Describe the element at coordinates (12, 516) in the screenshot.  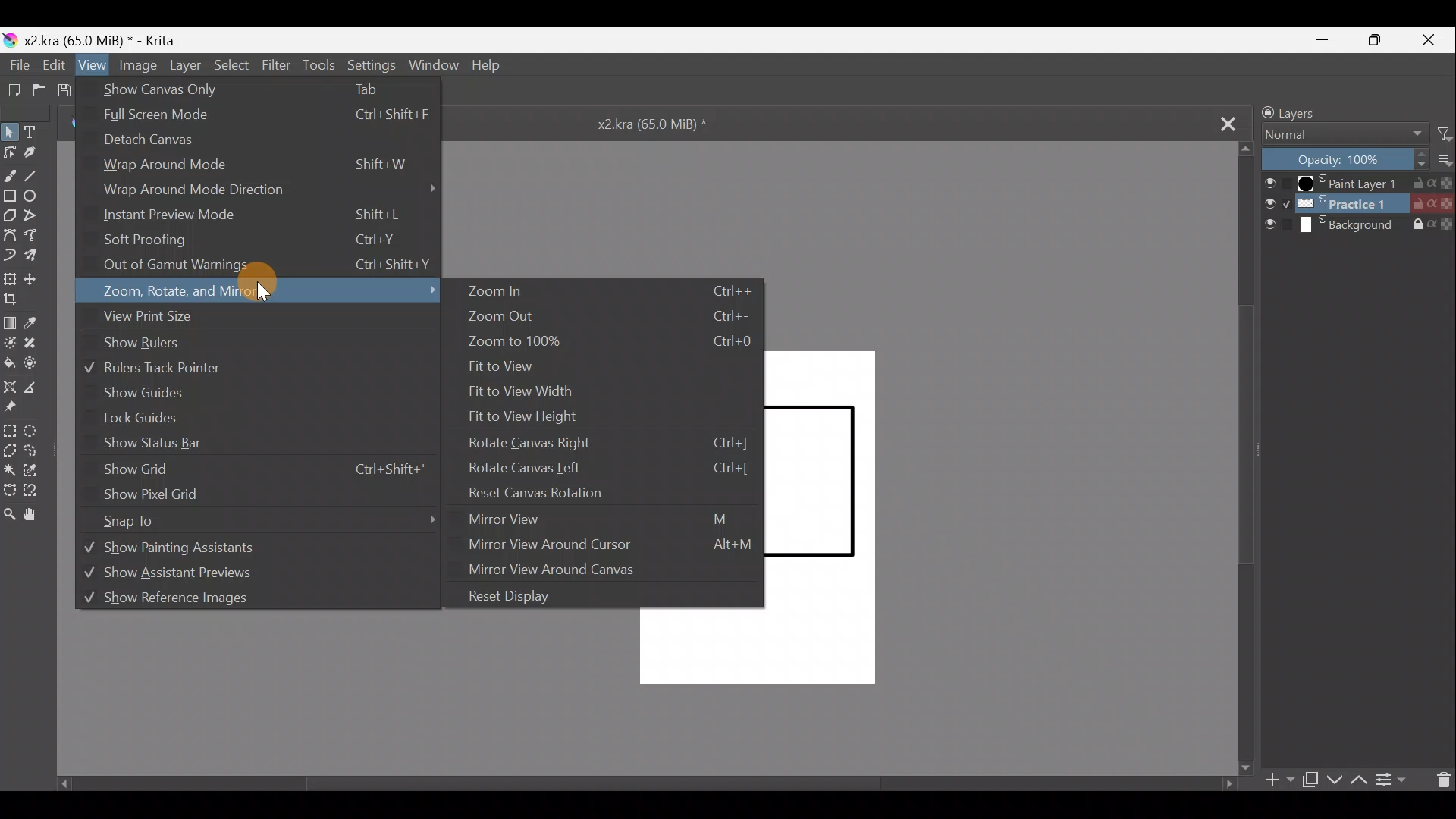
I see `Zoom tool` at that location.